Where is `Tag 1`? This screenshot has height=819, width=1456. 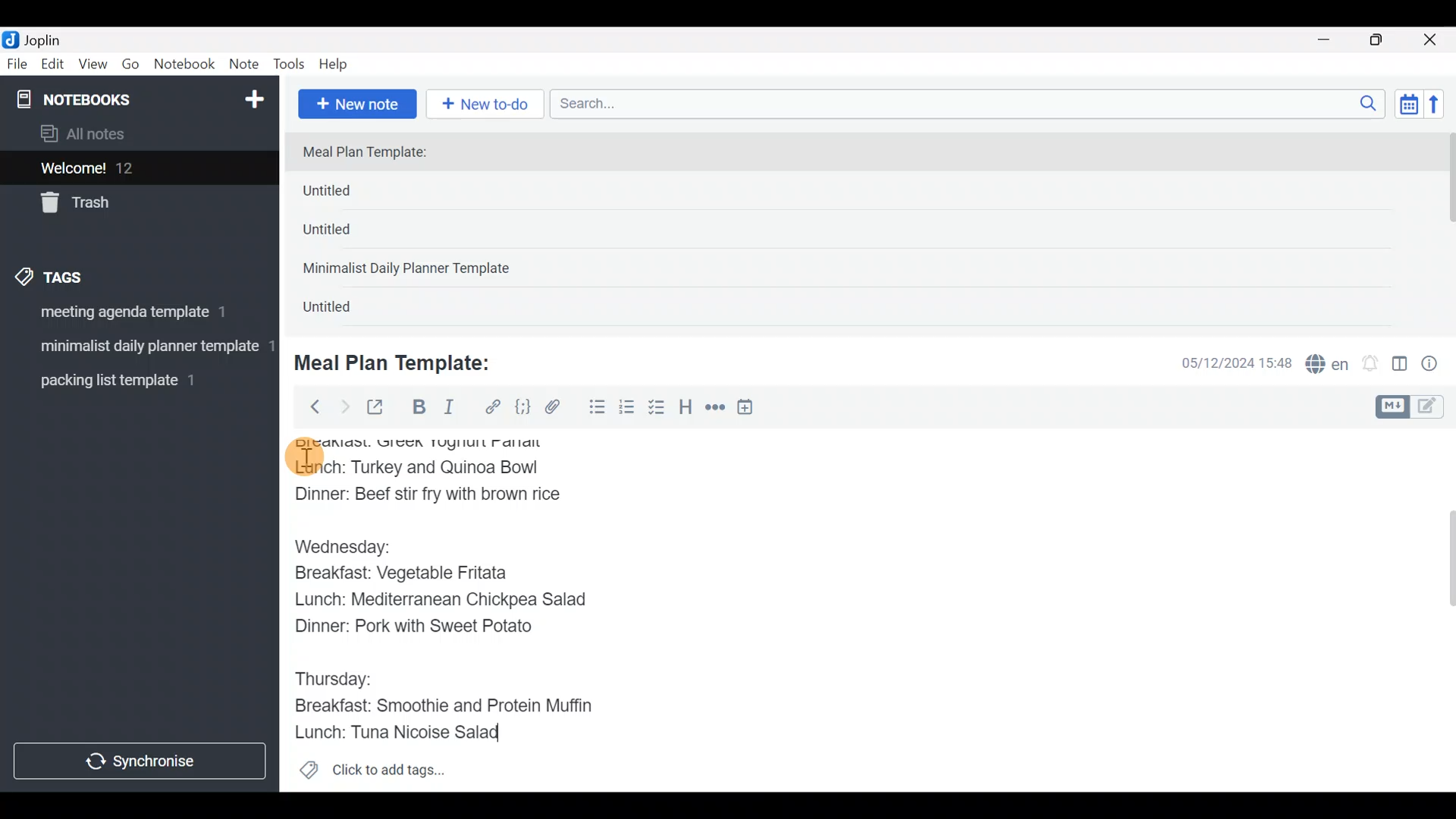 Tag 1 is located at coordinates (135, 316).